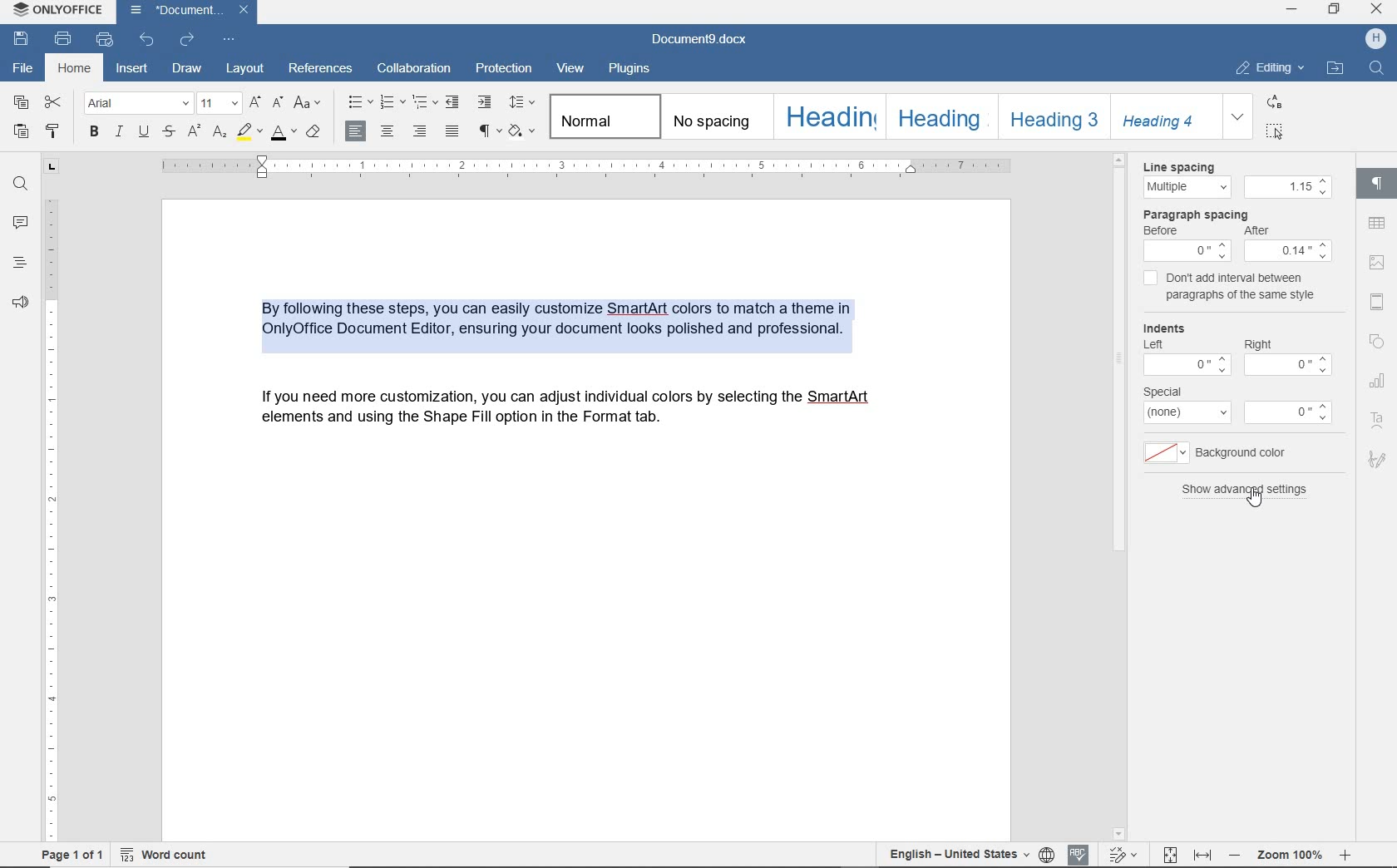 The image size is (1397, 868). I want to click on fit to width, so click(1203, 856).